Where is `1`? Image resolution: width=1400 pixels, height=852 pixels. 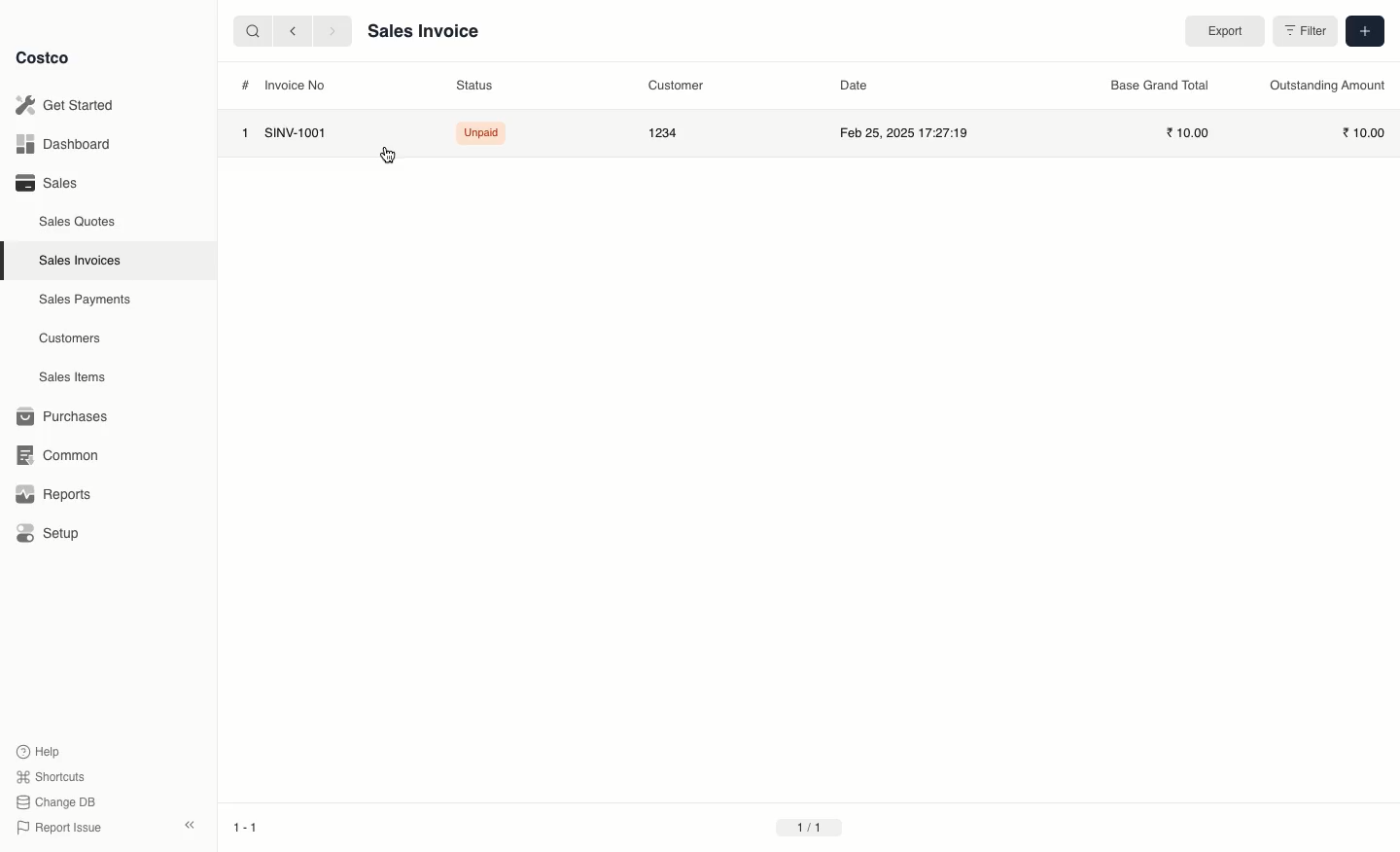 1 is located at coordinates (244, 133).